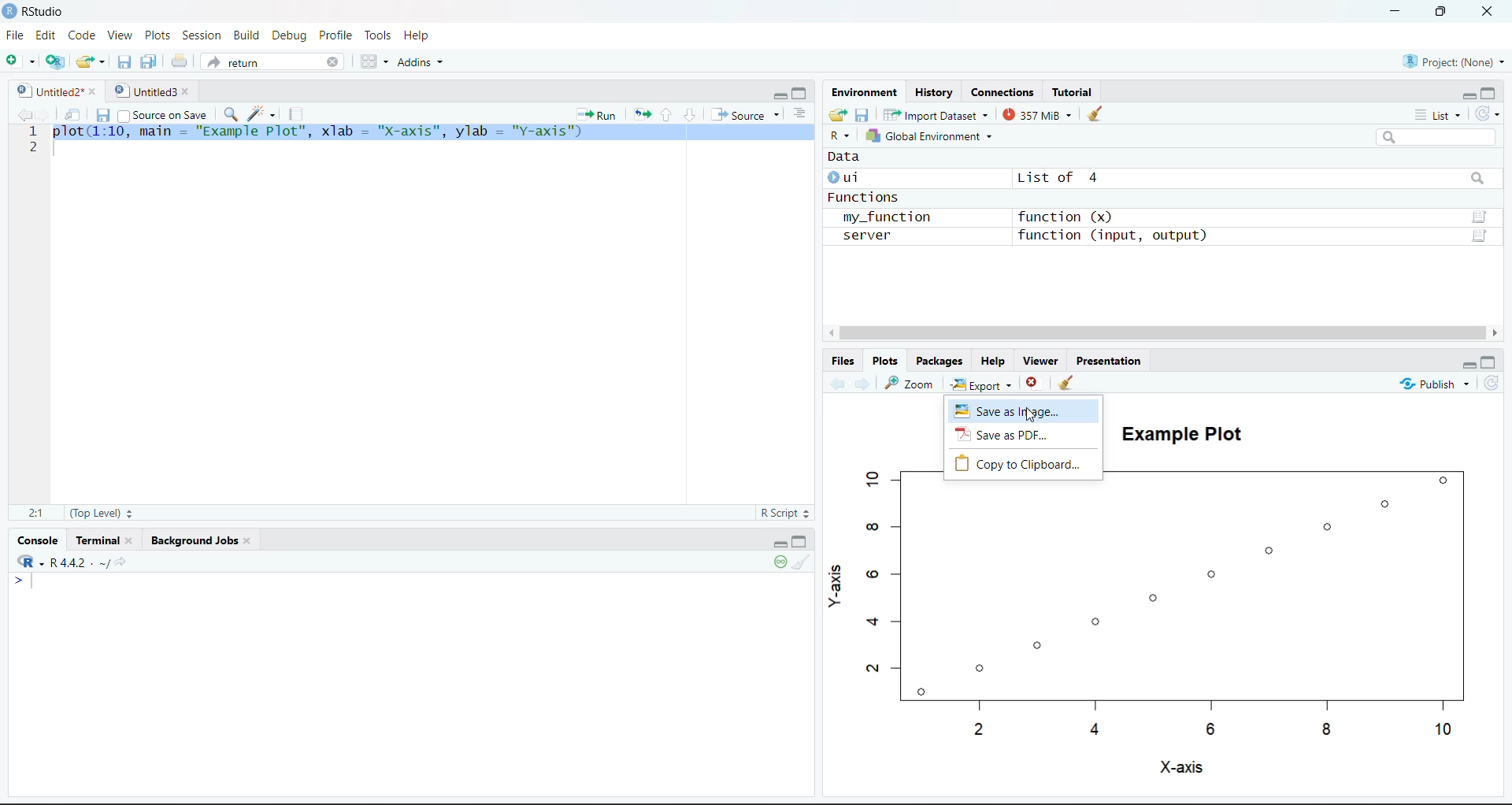  I want to click on Project (None), so click(1450, 60).